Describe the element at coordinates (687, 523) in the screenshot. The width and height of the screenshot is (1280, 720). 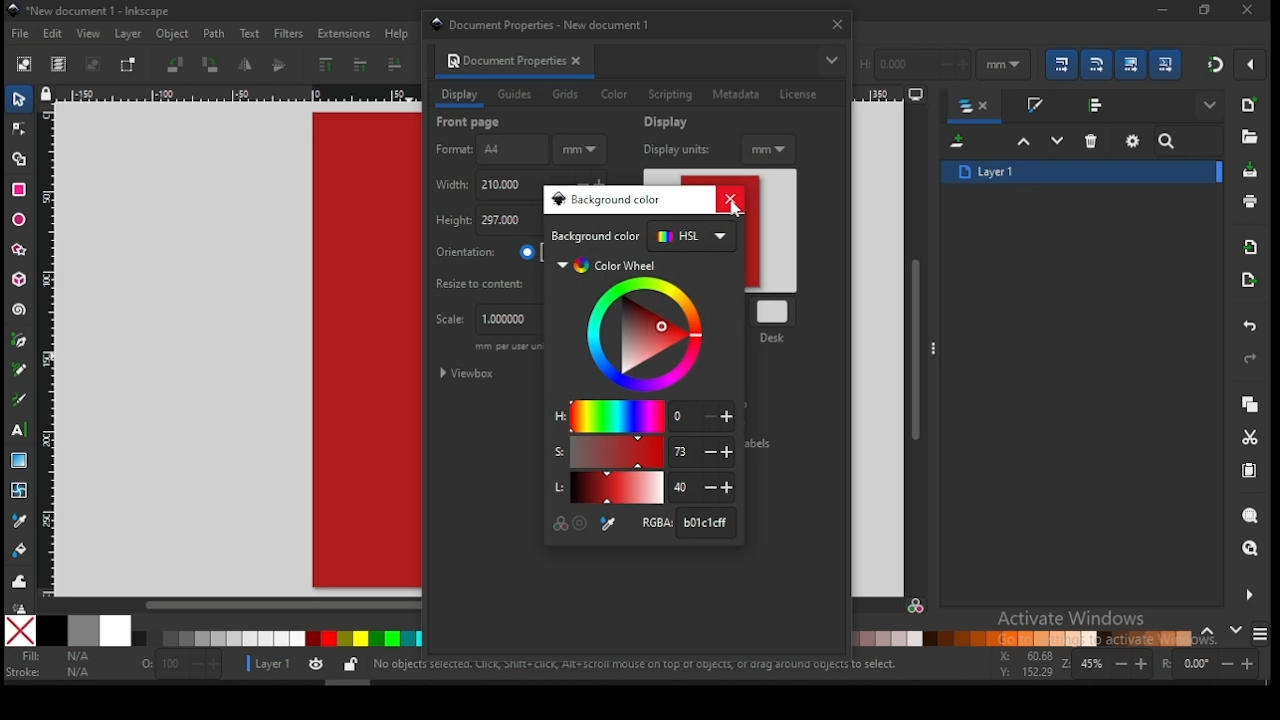
I see `selected color code` at that location.